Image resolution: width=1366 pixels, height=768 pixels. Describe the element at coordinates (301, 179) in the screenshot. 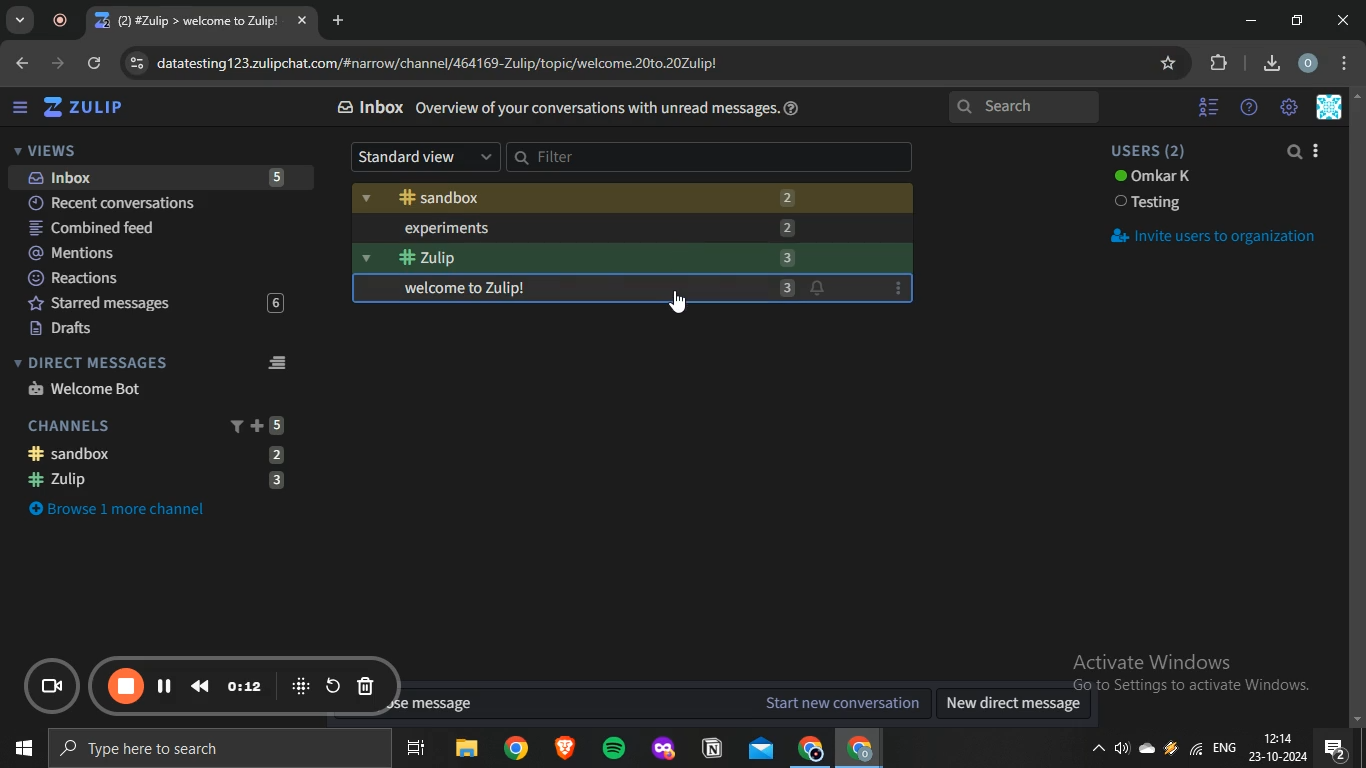

I see `:` at that location.